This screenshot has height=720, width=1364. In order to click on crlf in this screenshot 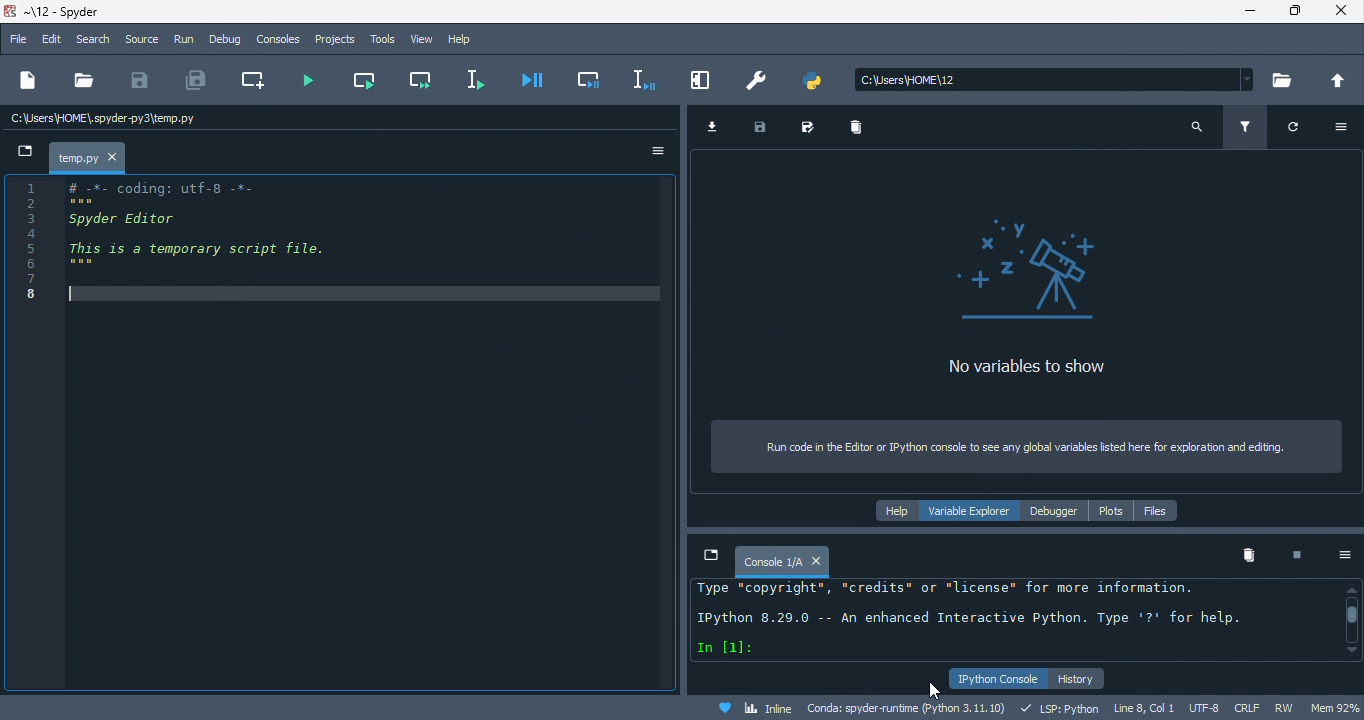, I will do `click(1251, 707)`.